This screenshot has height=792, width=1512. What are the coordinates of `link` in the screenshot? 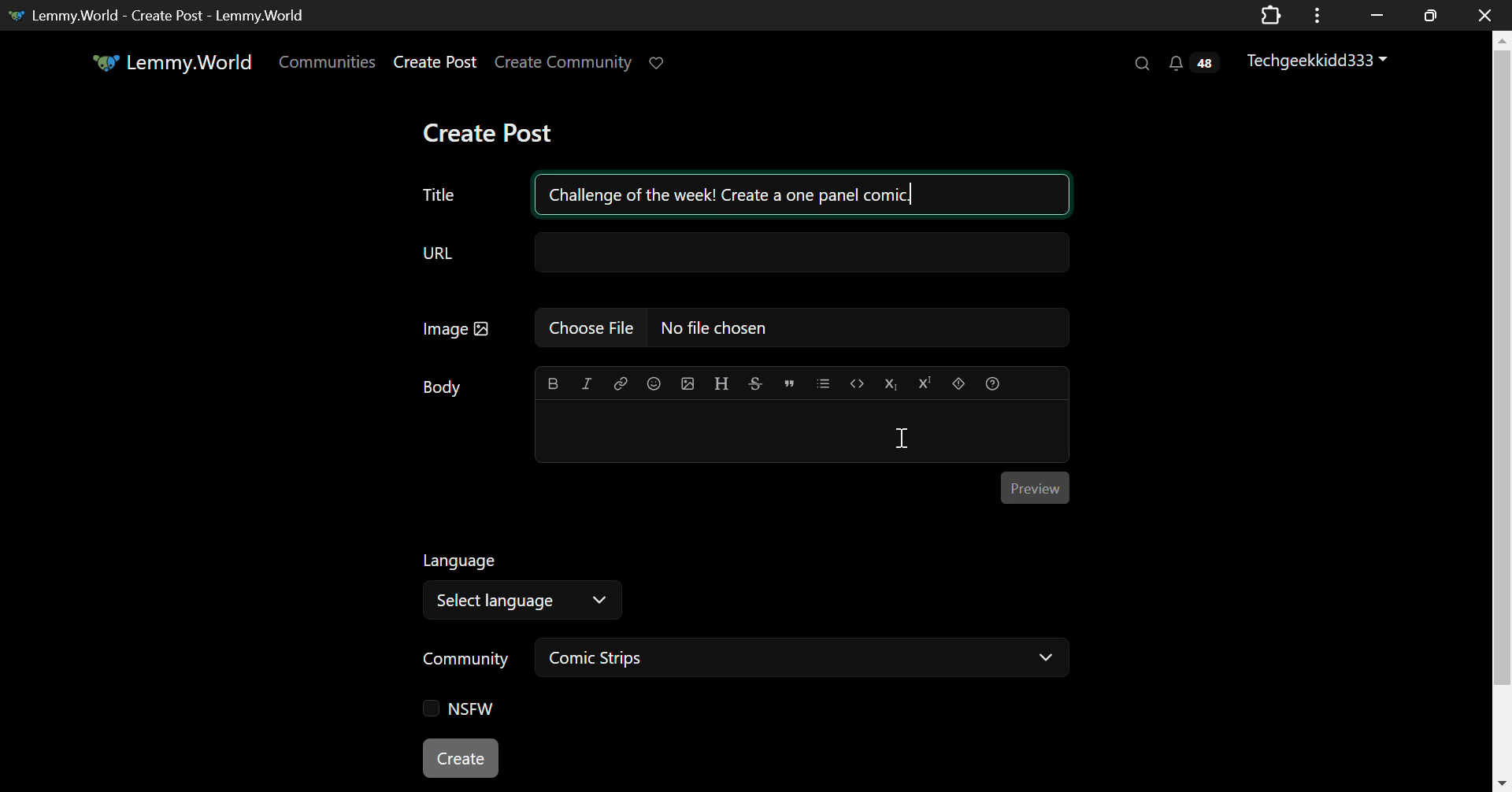 It's located at (617, 383).